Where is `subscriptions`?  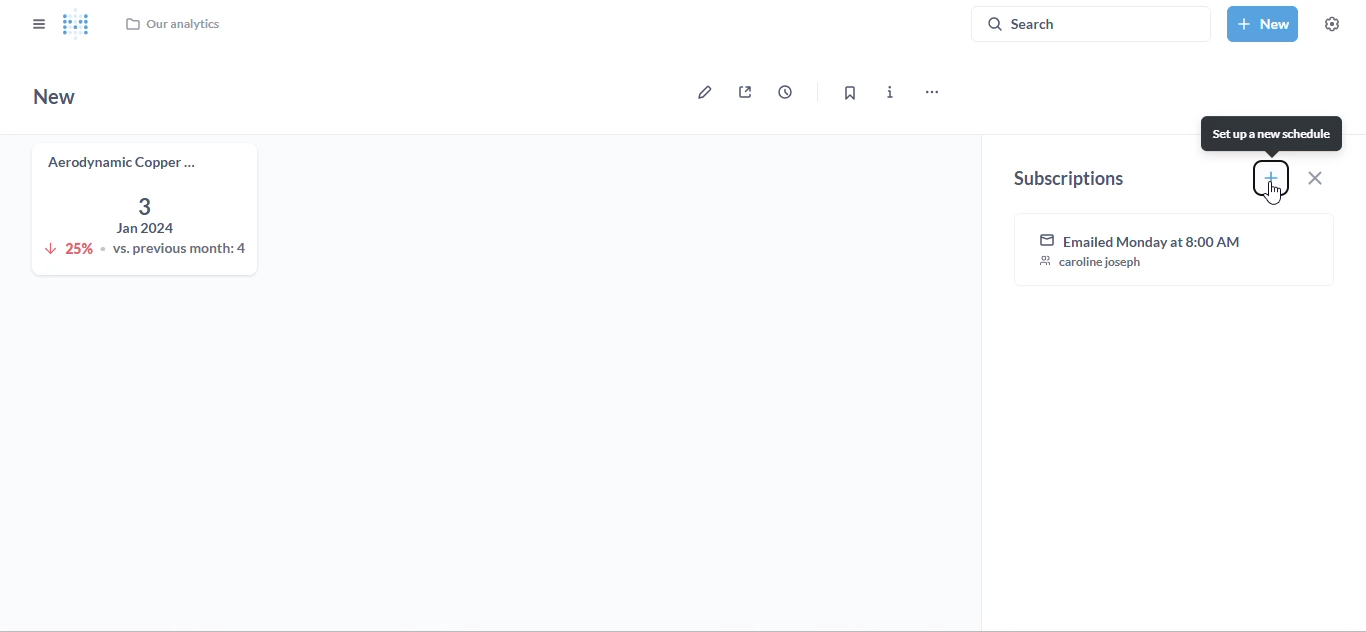
subscriptions is located at coordinates (1066, 179).